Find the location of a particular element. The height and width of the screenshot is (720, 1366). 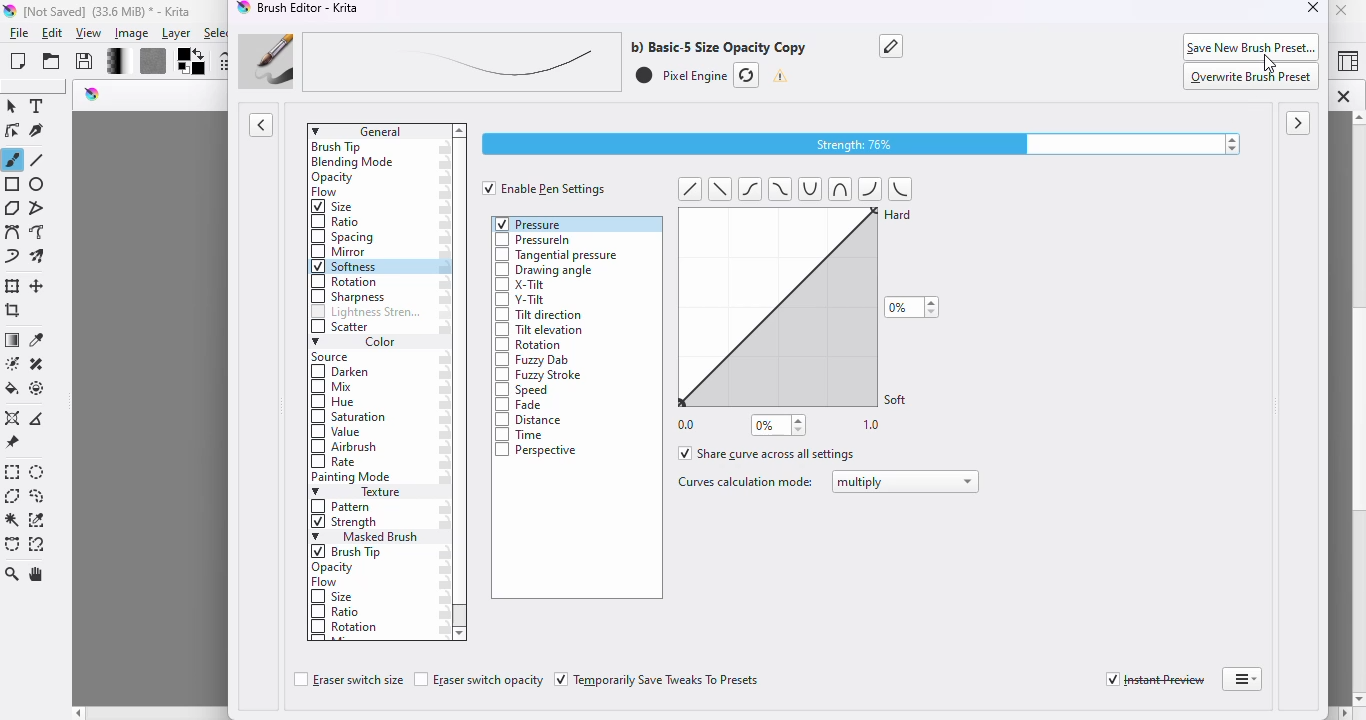

size is located at coordinates (333, 597).